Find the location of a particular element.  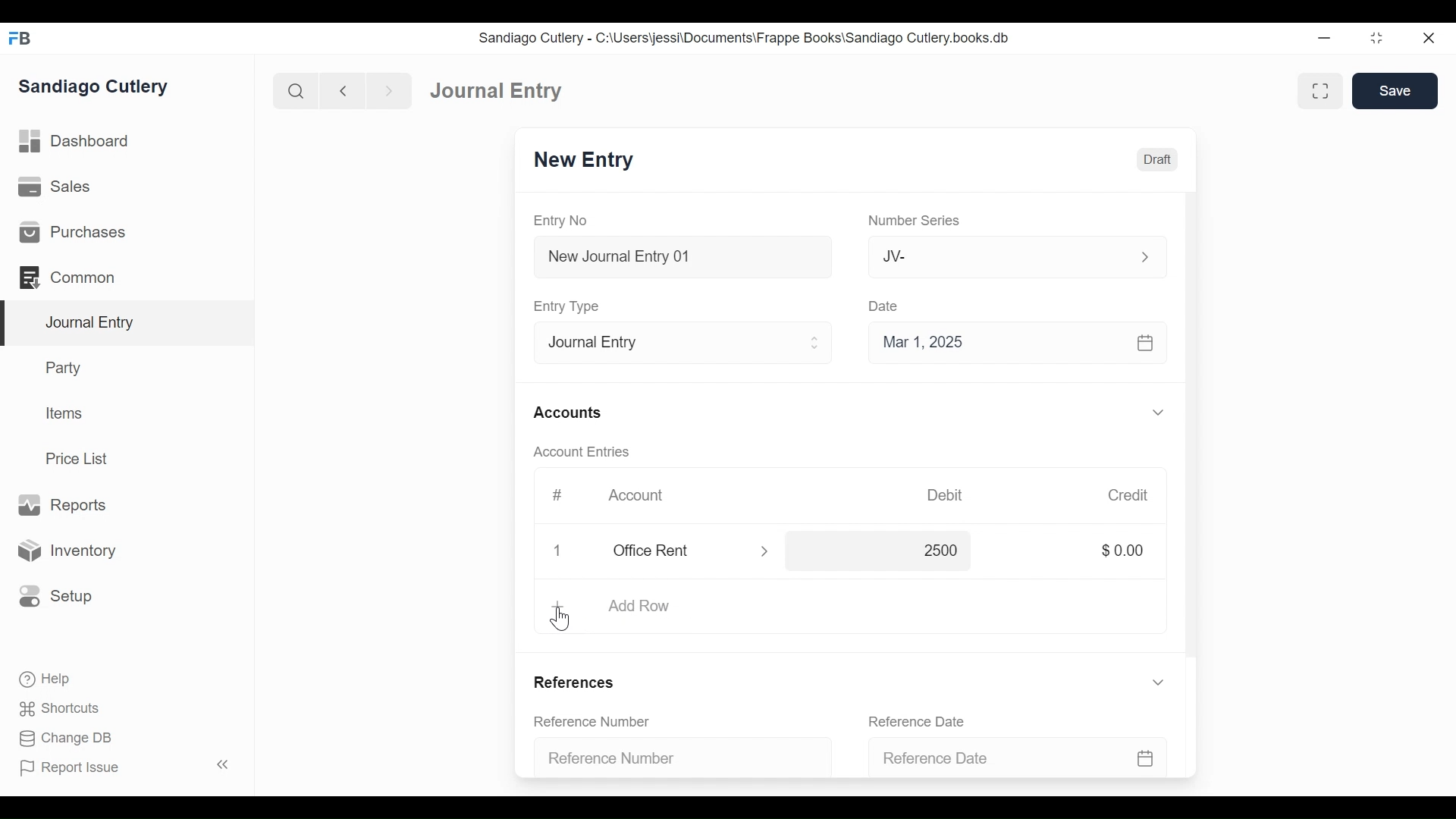

delete is located at coordinates (554, 551).